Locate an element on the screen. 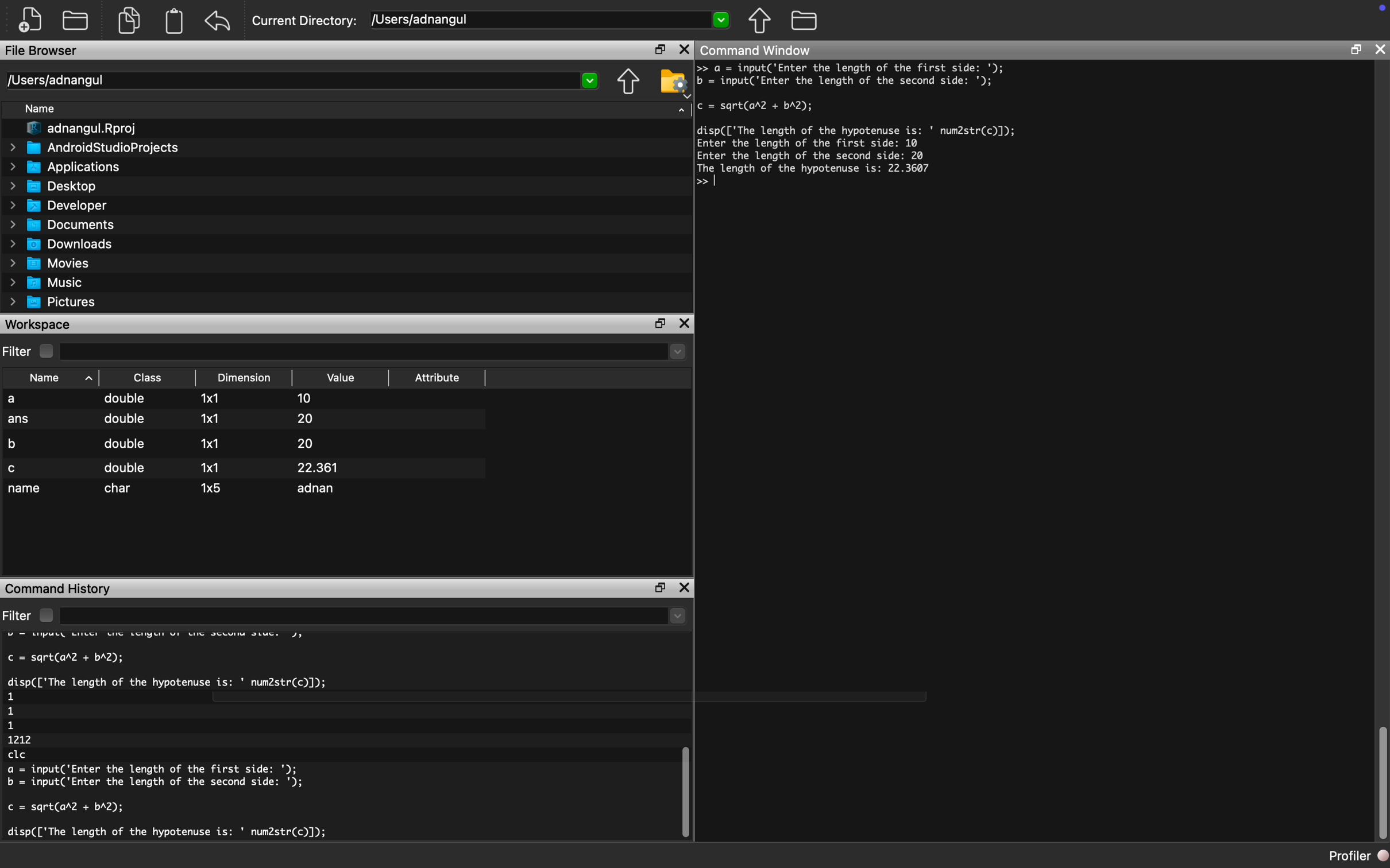 This screenshot has height=868, width=1390. Users/adnangul 2 is located at coordinates (301, 81).